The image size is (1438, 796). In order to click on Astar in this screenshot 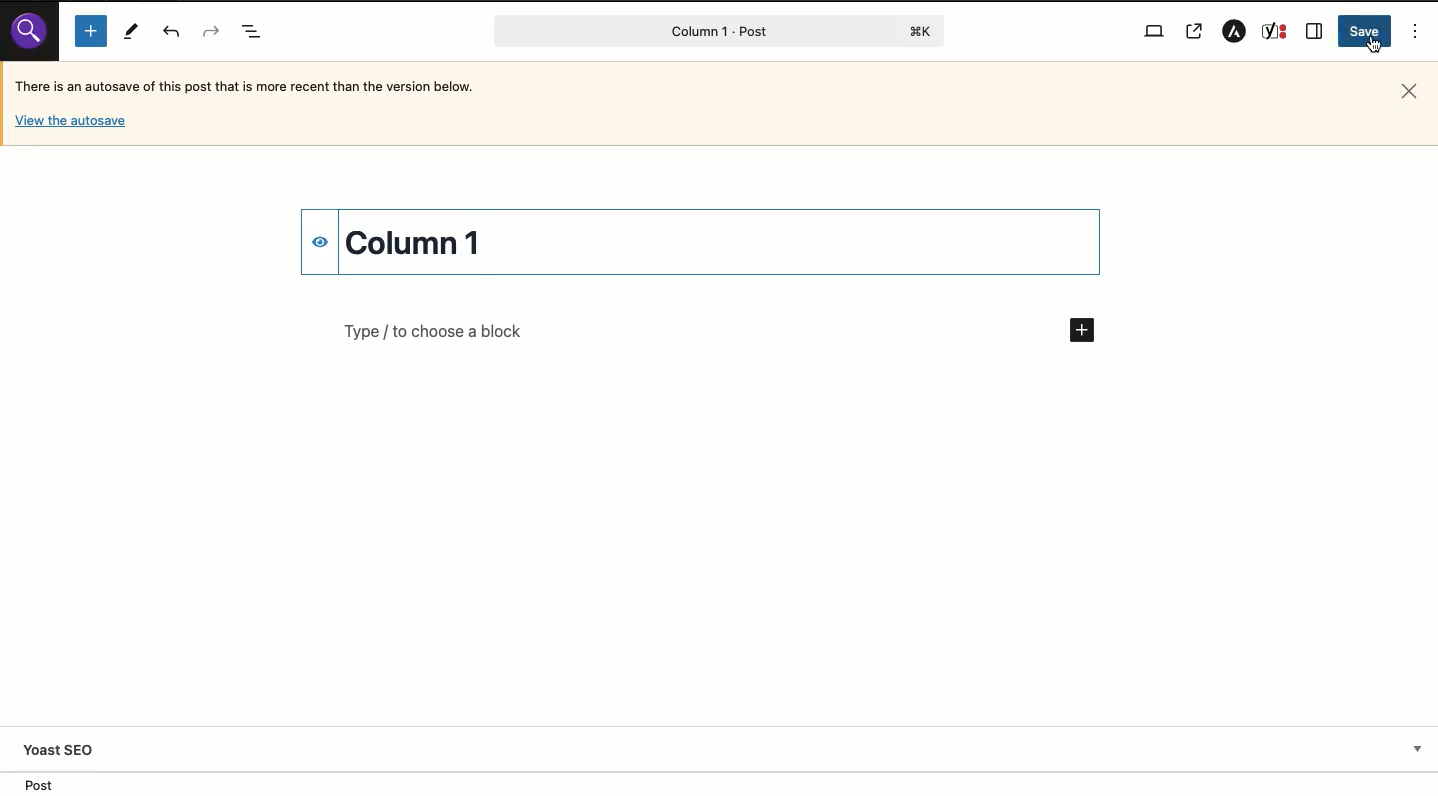, I will do `click(1232, 33)`.